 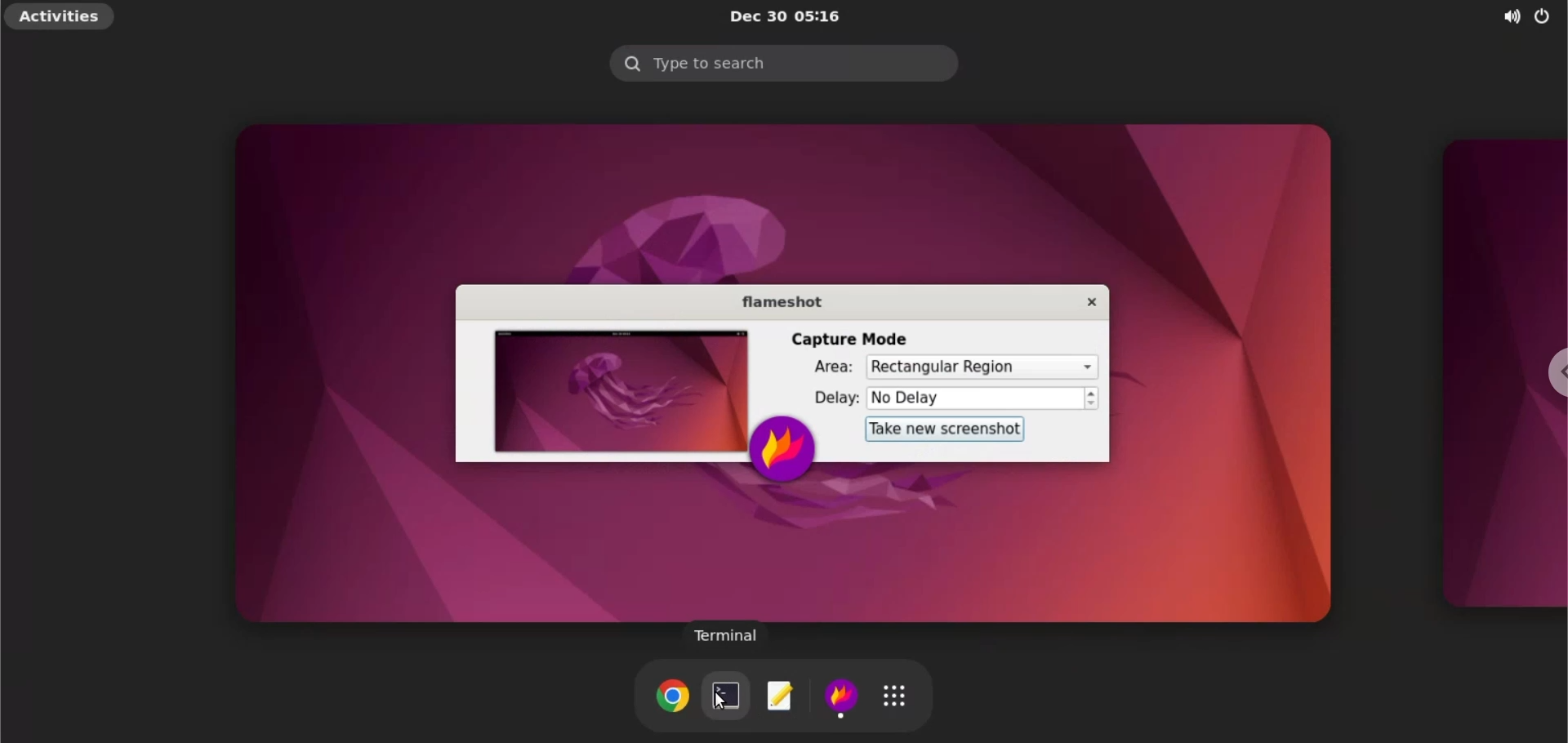 What do you see at coordinates (62, 17) in the screenshot?
I see `Activities` at bounding box center [62, 17].